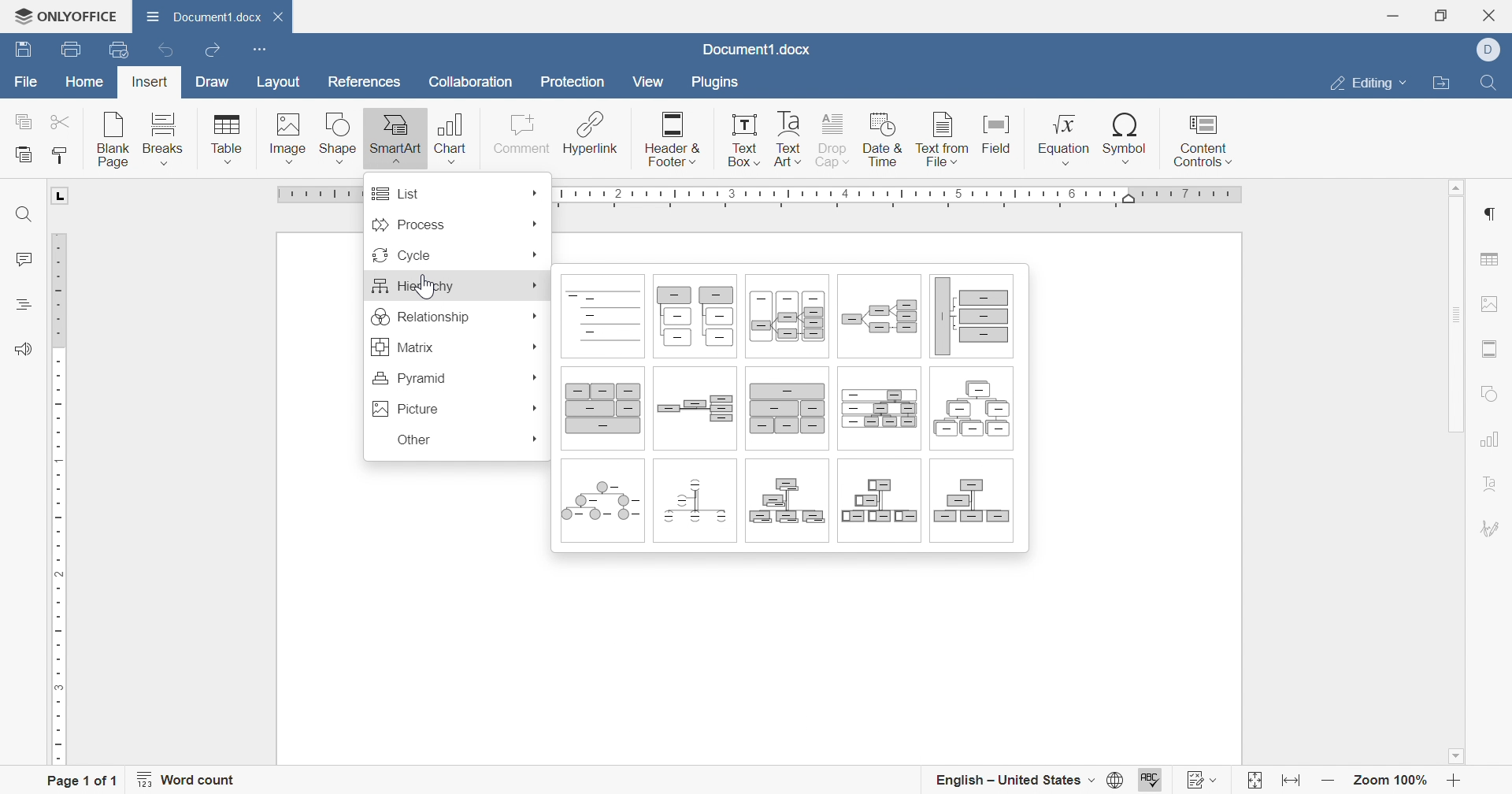  I want to click on Minimize, so click(1393, 17).